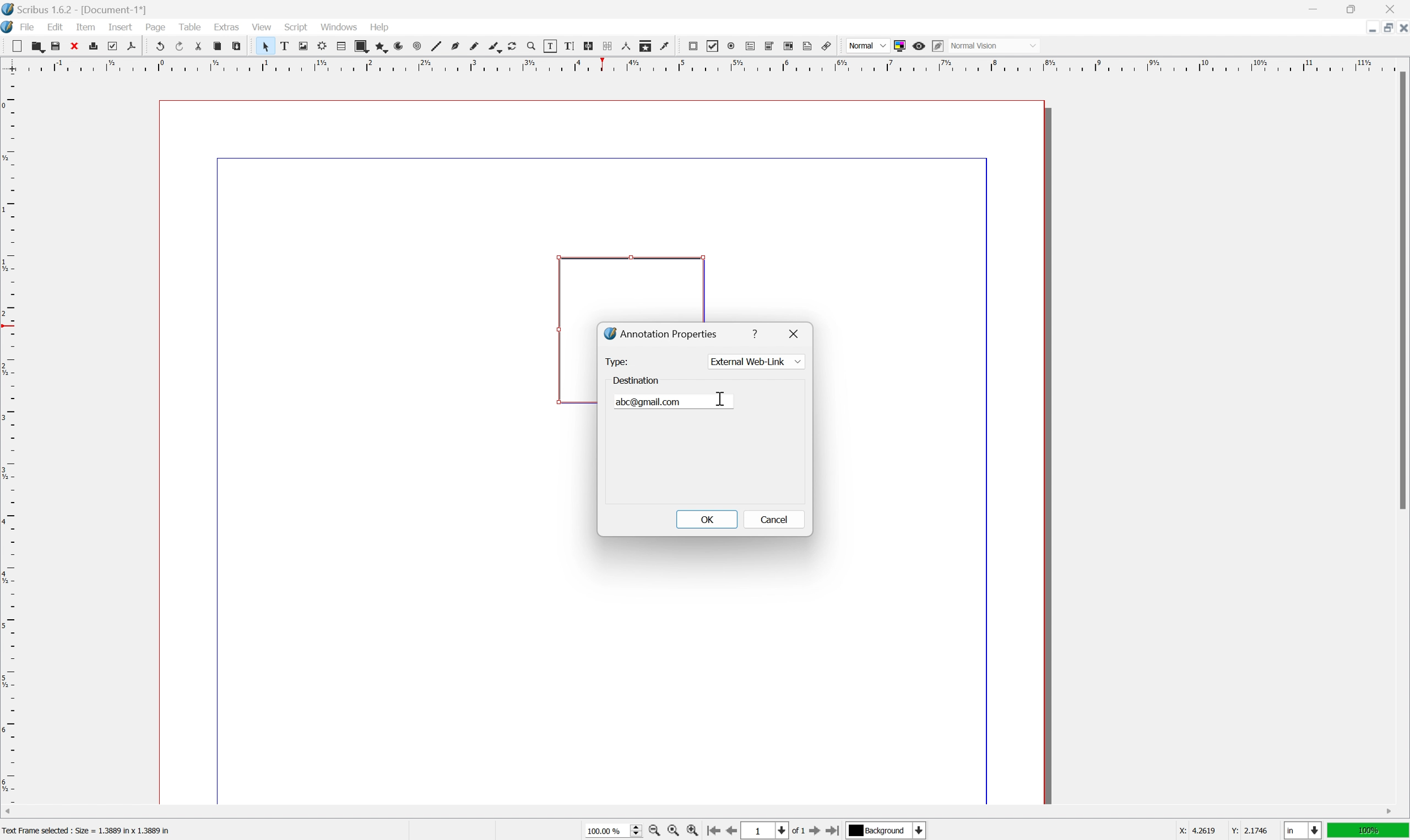 This screenshot has height=840, width=1410. I want to click on shape, so click(361, 46).